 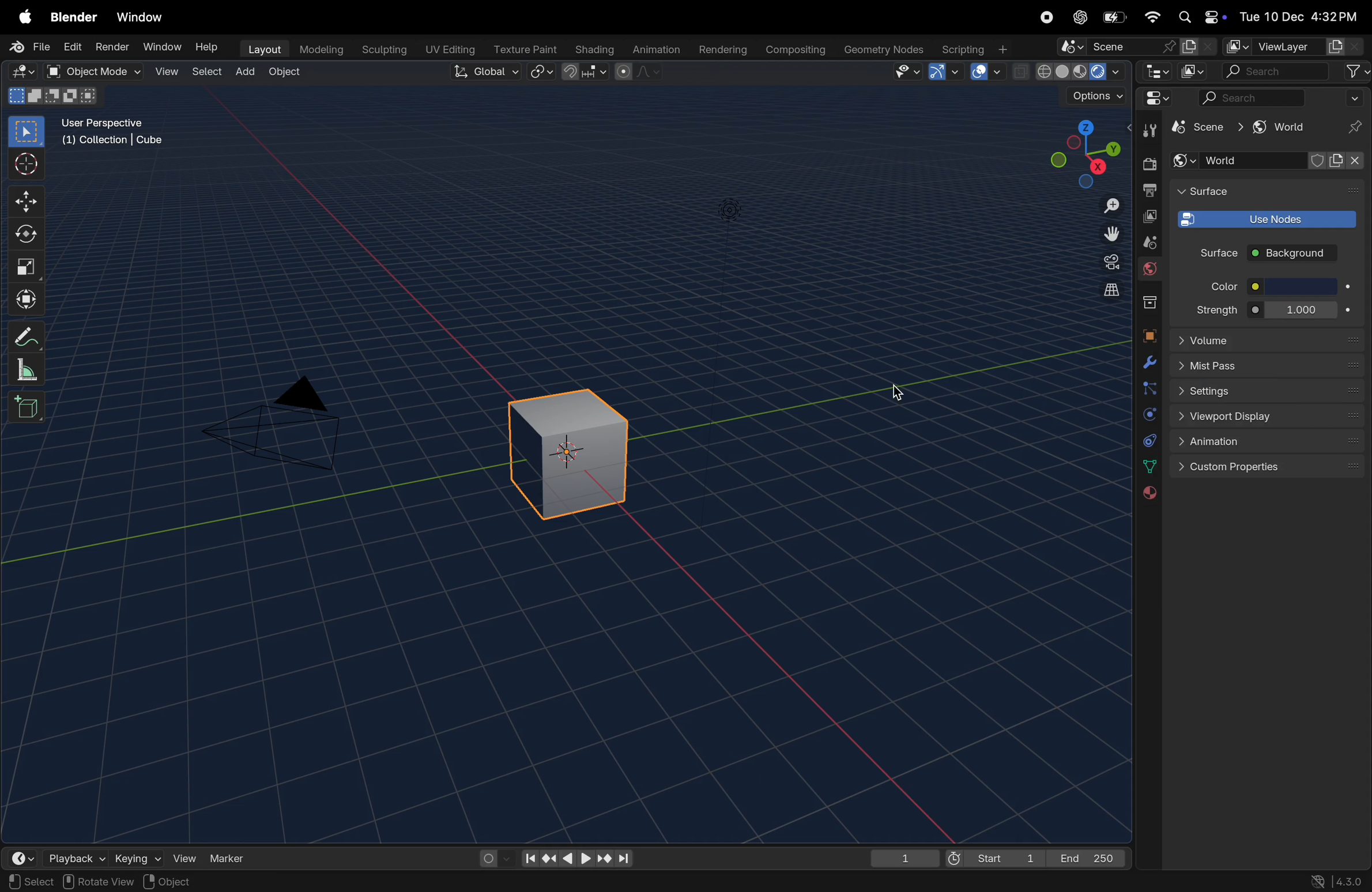 What do you see at coordinates (24, 16) in the screenshot?
I see `Apple menu` at bounding box center [24, 16].